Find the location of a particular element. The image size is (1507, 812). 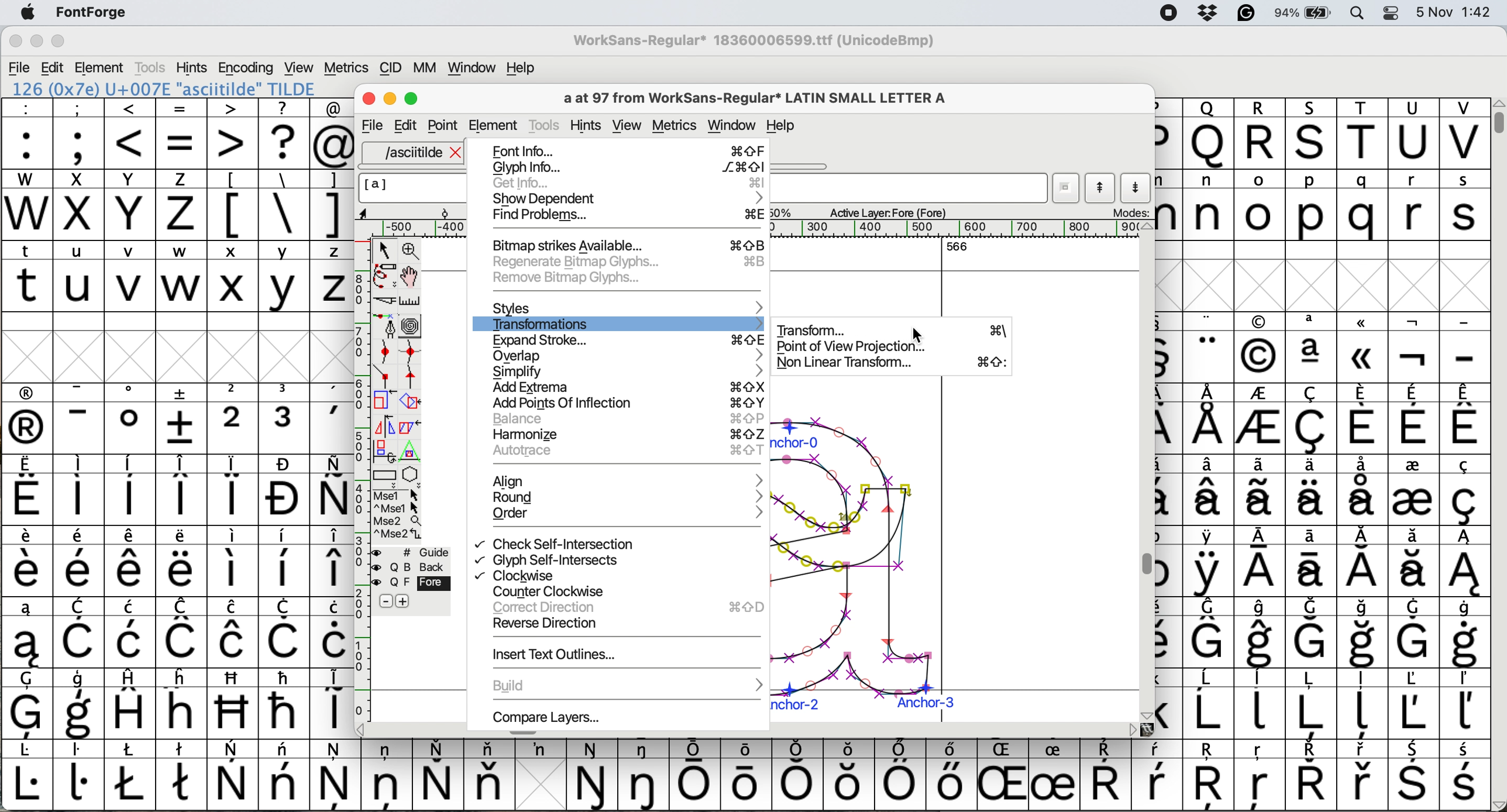

zoom in is located at coordinates (413, 252).